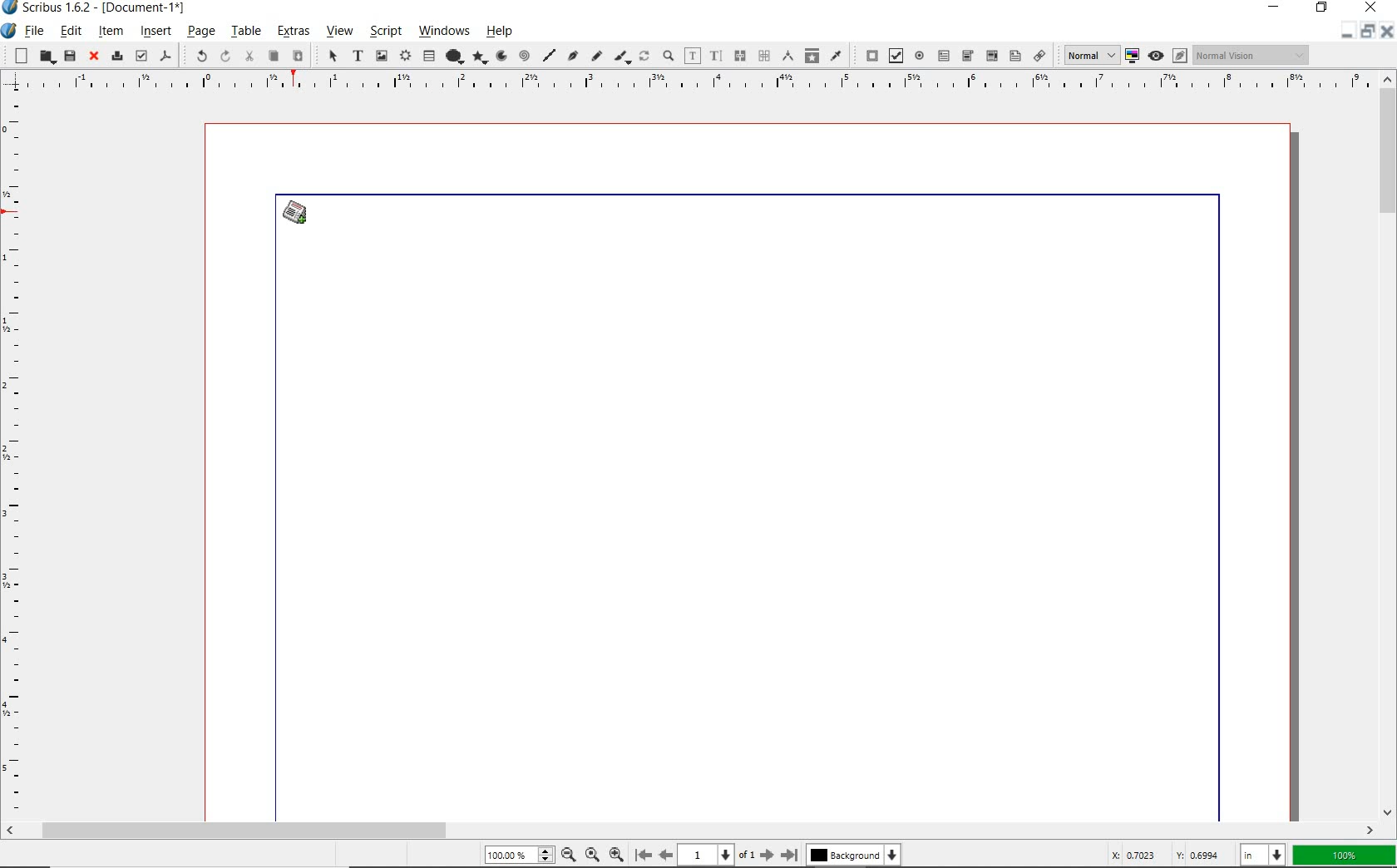  I want to click on copy, so click(274, 56).